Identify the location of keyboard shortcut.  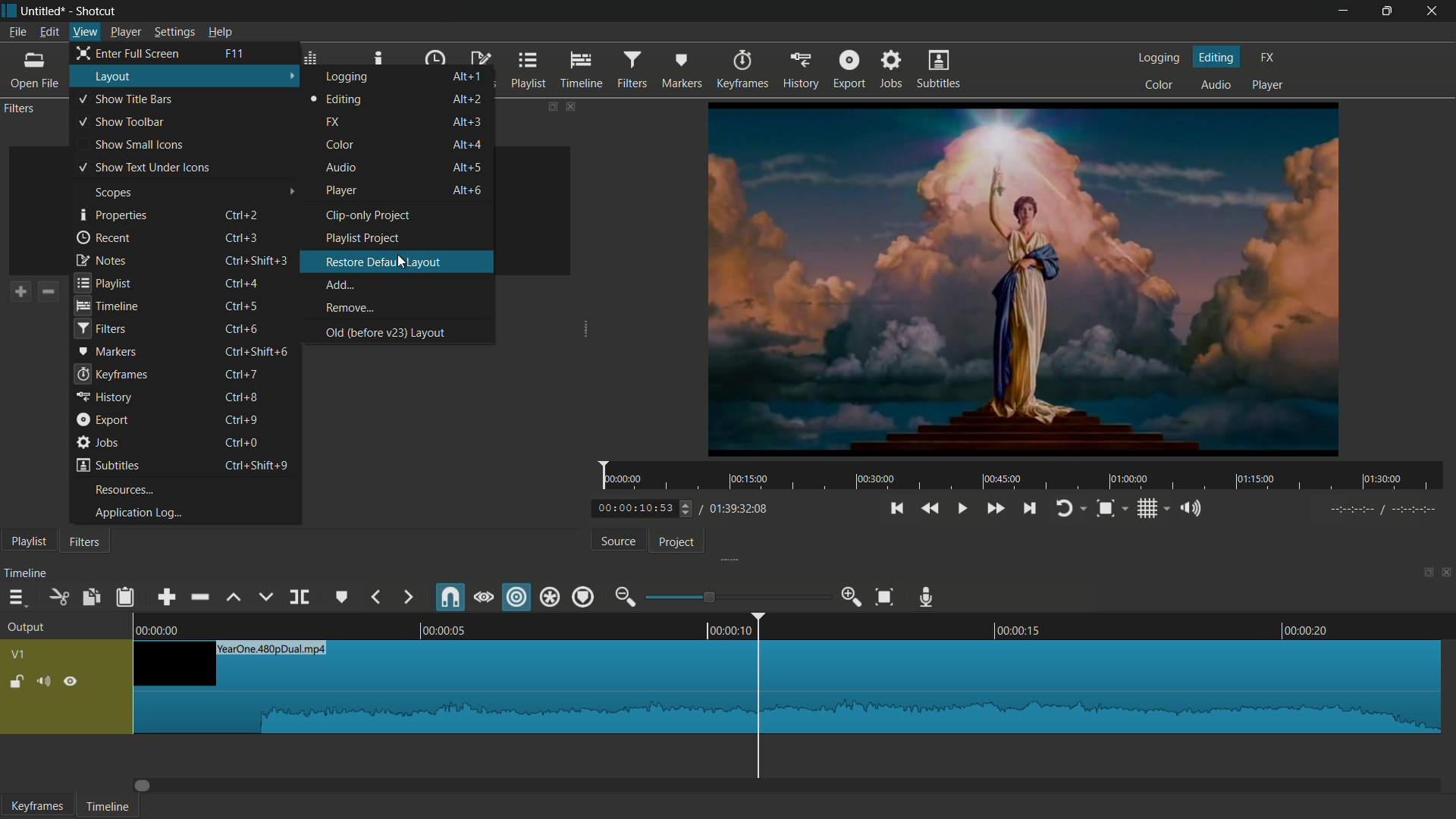
(256, 351).